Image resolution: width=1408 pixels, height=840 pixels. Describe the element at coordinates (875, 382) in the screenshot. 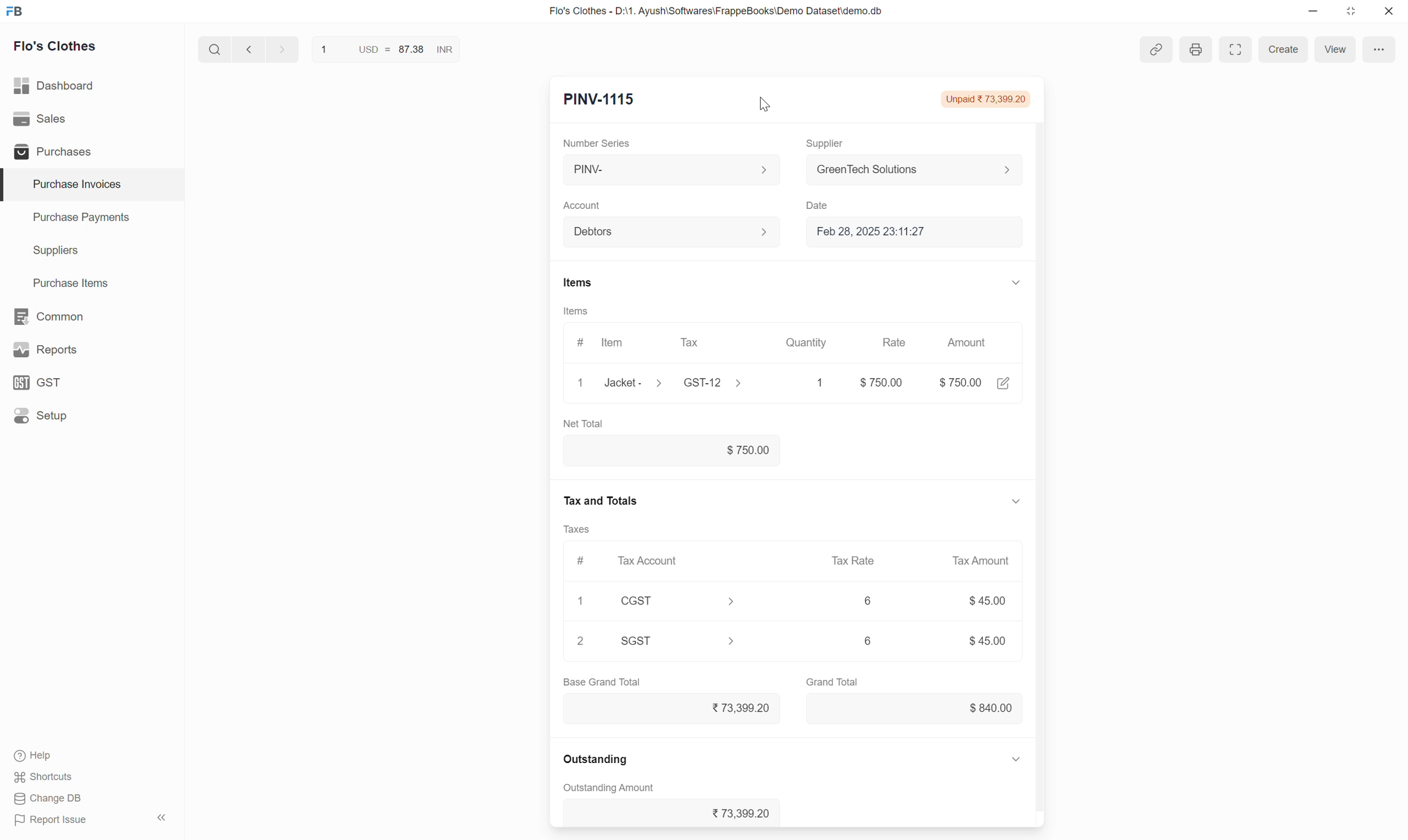

I see `102.99` at that location.